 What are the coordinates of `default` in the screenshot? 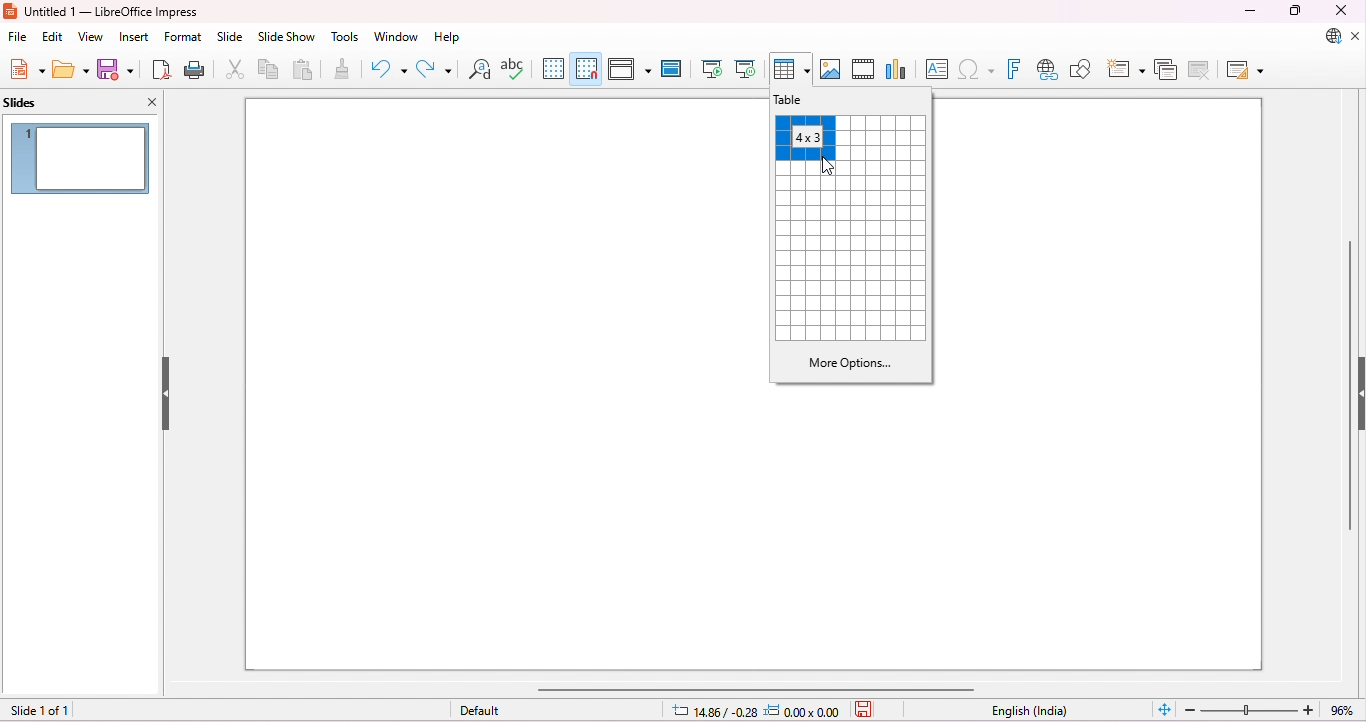 It's located at (482, 710).